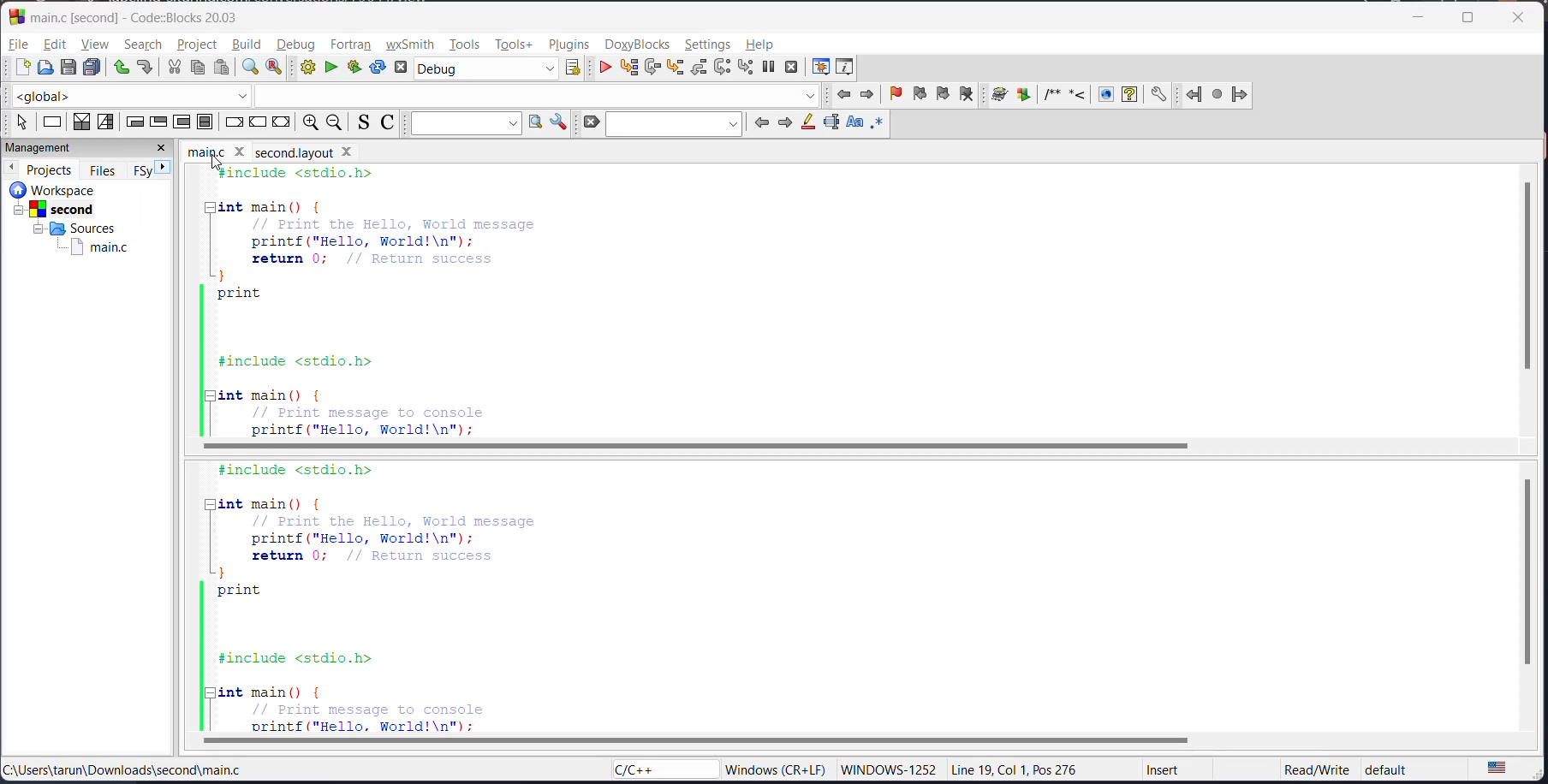 This screenshot has height=784, width=1548. Describe the element at coordinates (97, 45) in the screenshot. I see `view` at that location.